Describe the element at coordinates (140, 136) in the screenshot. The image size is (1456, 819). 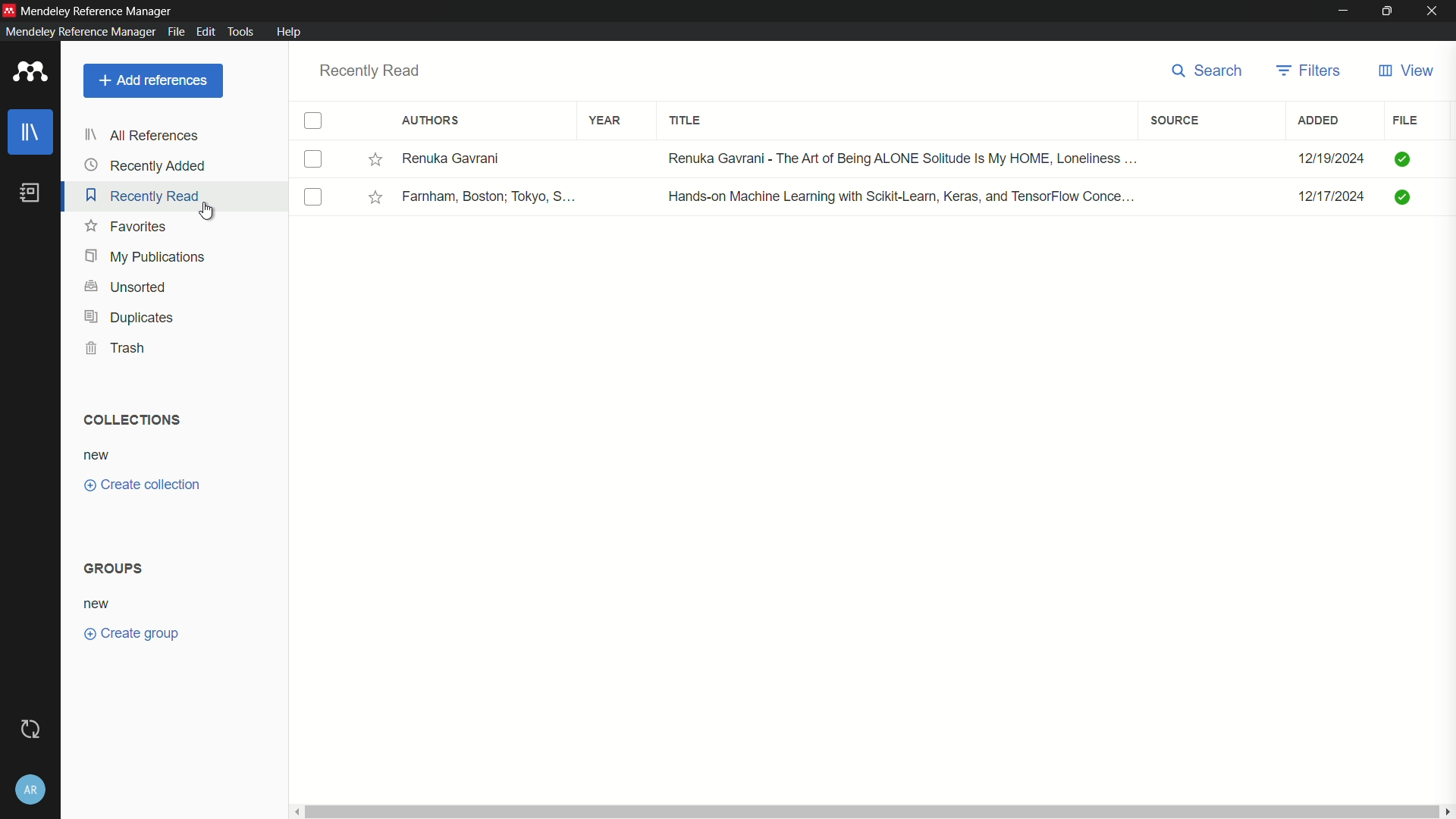
I see `all references` at that location.